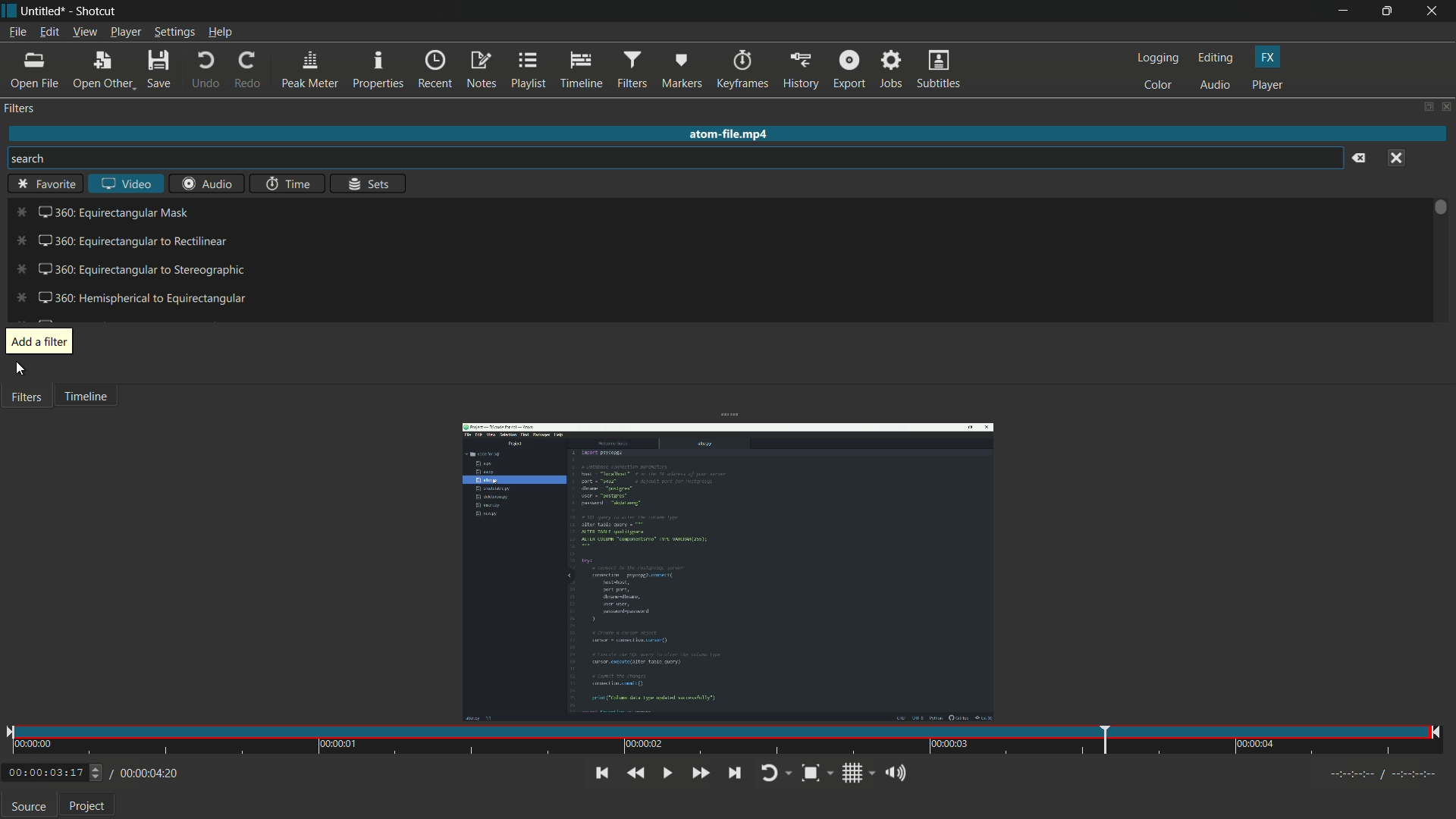 The image size is (1456, 819). Describe the element at coordinates (33, 71) in the screenshot. I see `open file` at that location.